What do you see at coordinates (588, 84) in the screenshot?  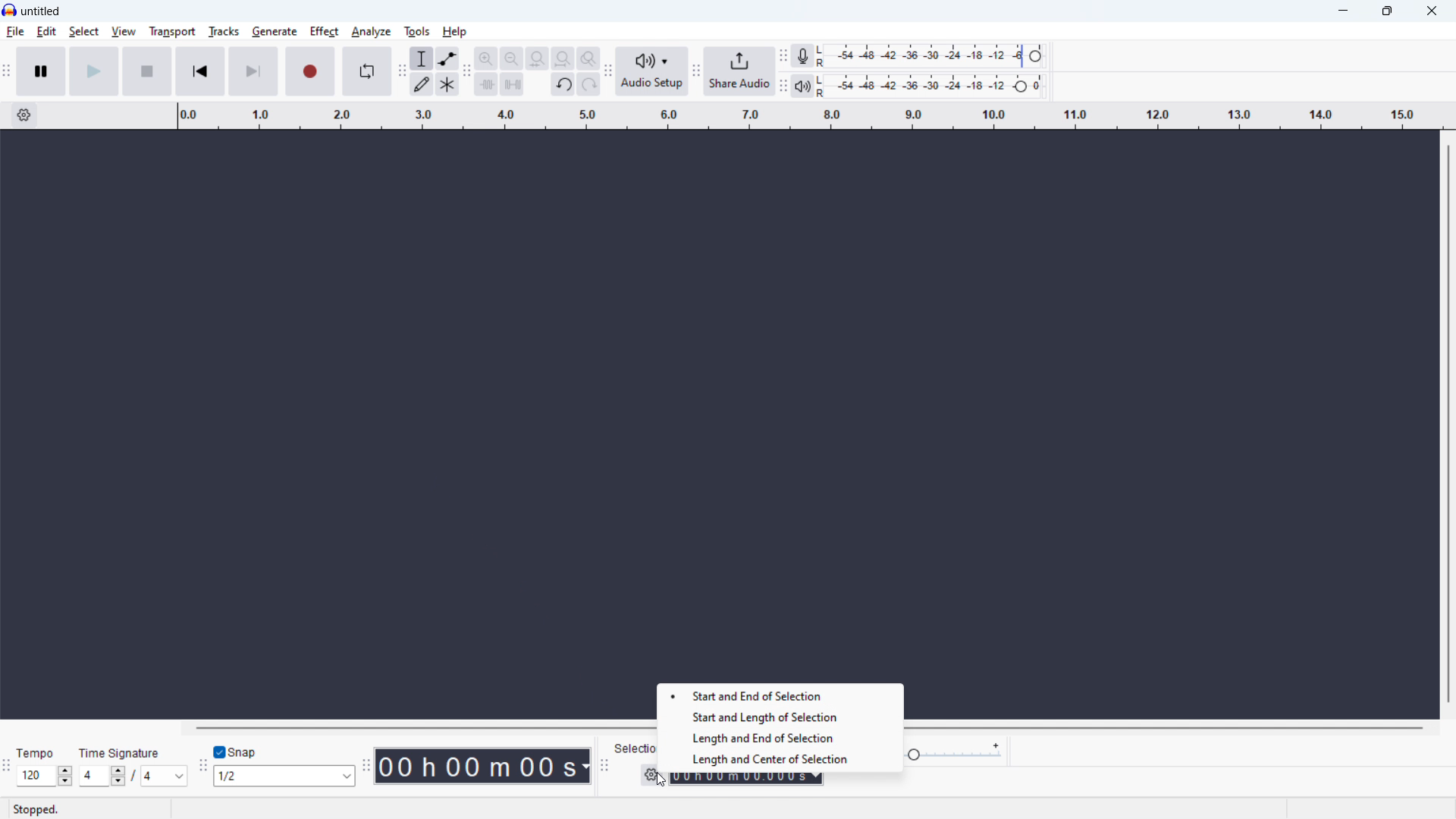 I see `redo` at bounding box center [588, 84].